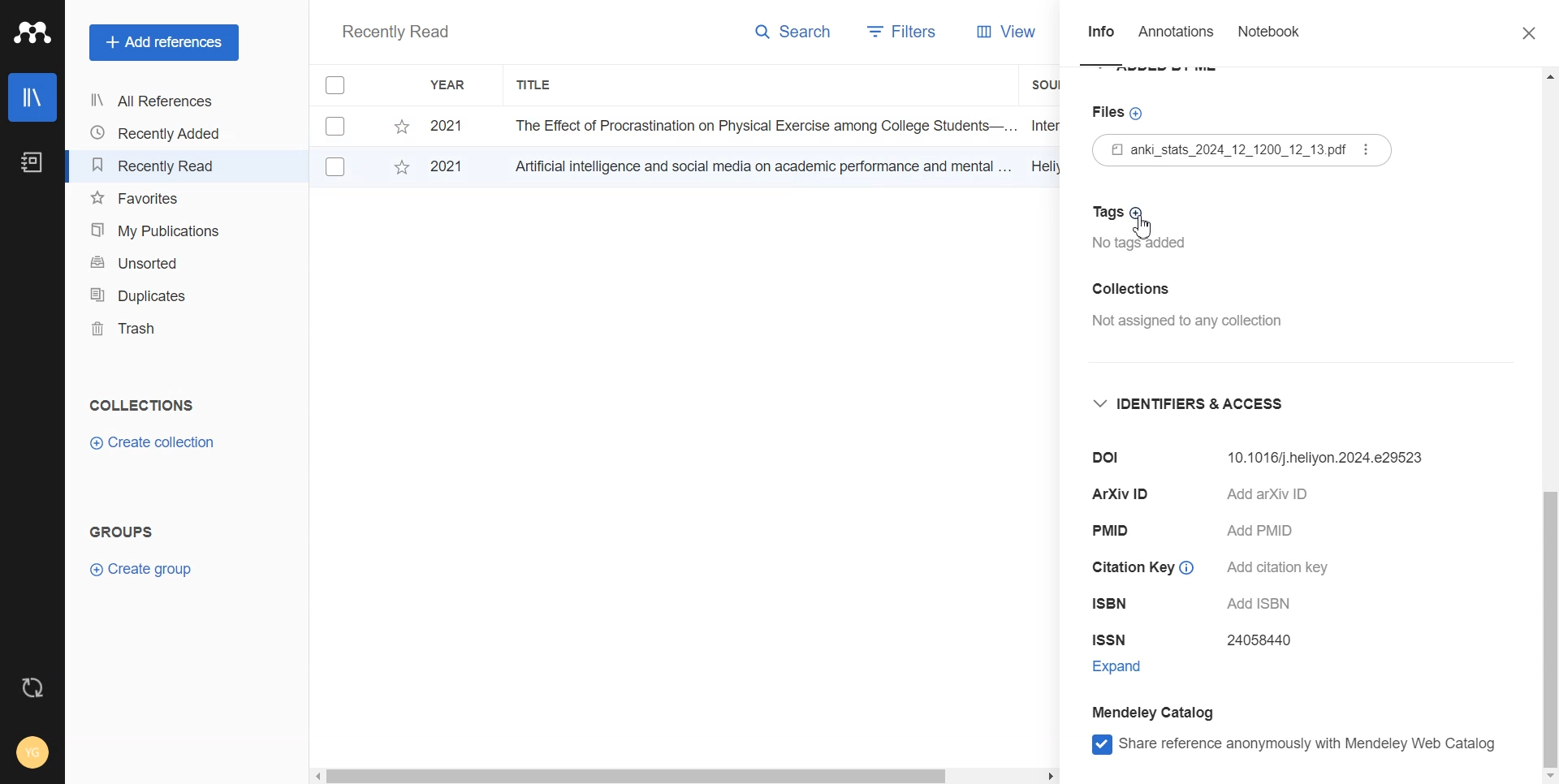 The height and width of the screenshot is (784, 1559). What do you see at coordinates (158, 133) in the screenshot?
I see `Recently Added` at bounding box center [158, 133].